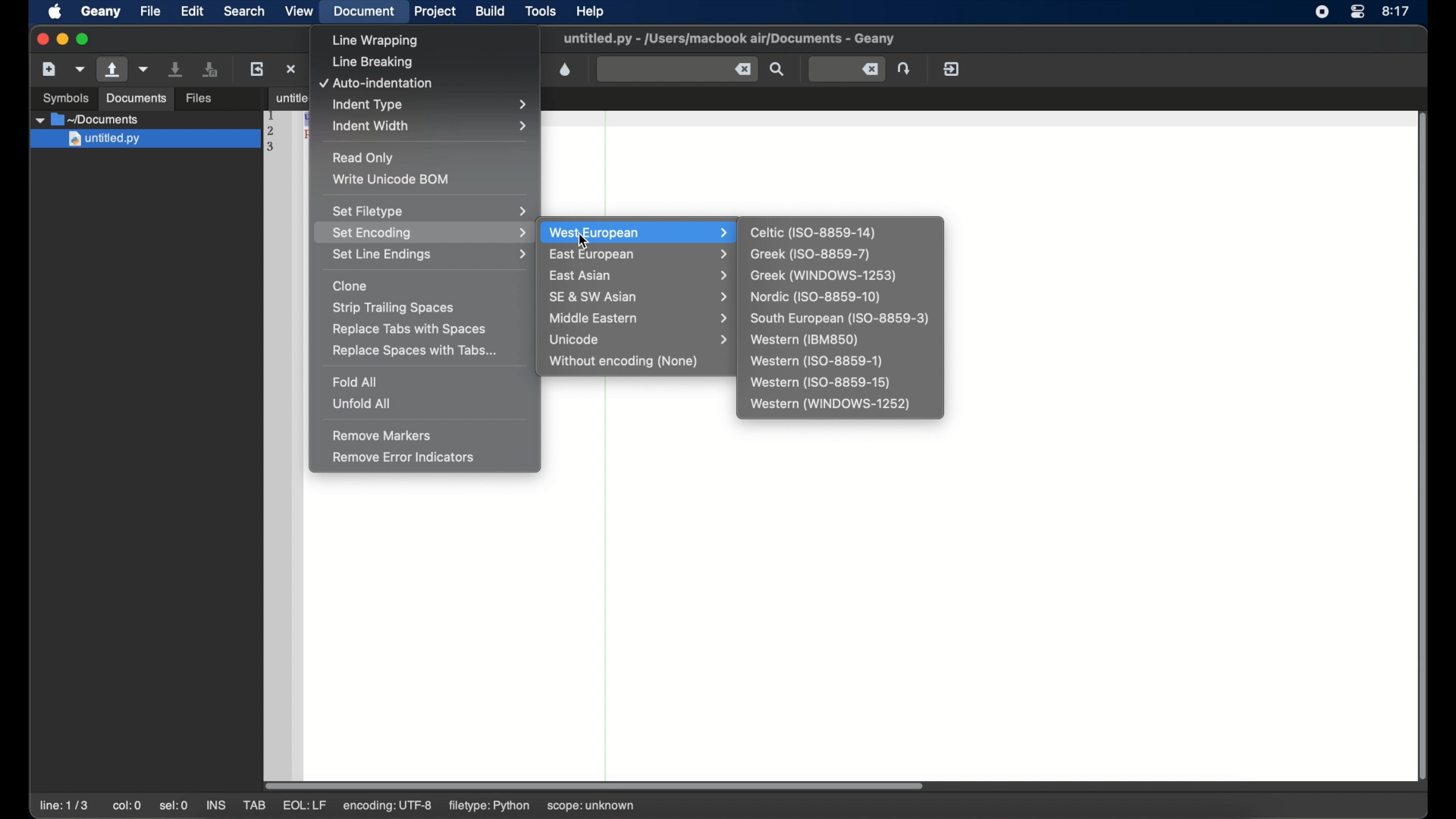 The height and width of the screenshot is (819, 1456). Describe the element at coordinates (814, 232) in the screenshot. I see `celtic` at that location.